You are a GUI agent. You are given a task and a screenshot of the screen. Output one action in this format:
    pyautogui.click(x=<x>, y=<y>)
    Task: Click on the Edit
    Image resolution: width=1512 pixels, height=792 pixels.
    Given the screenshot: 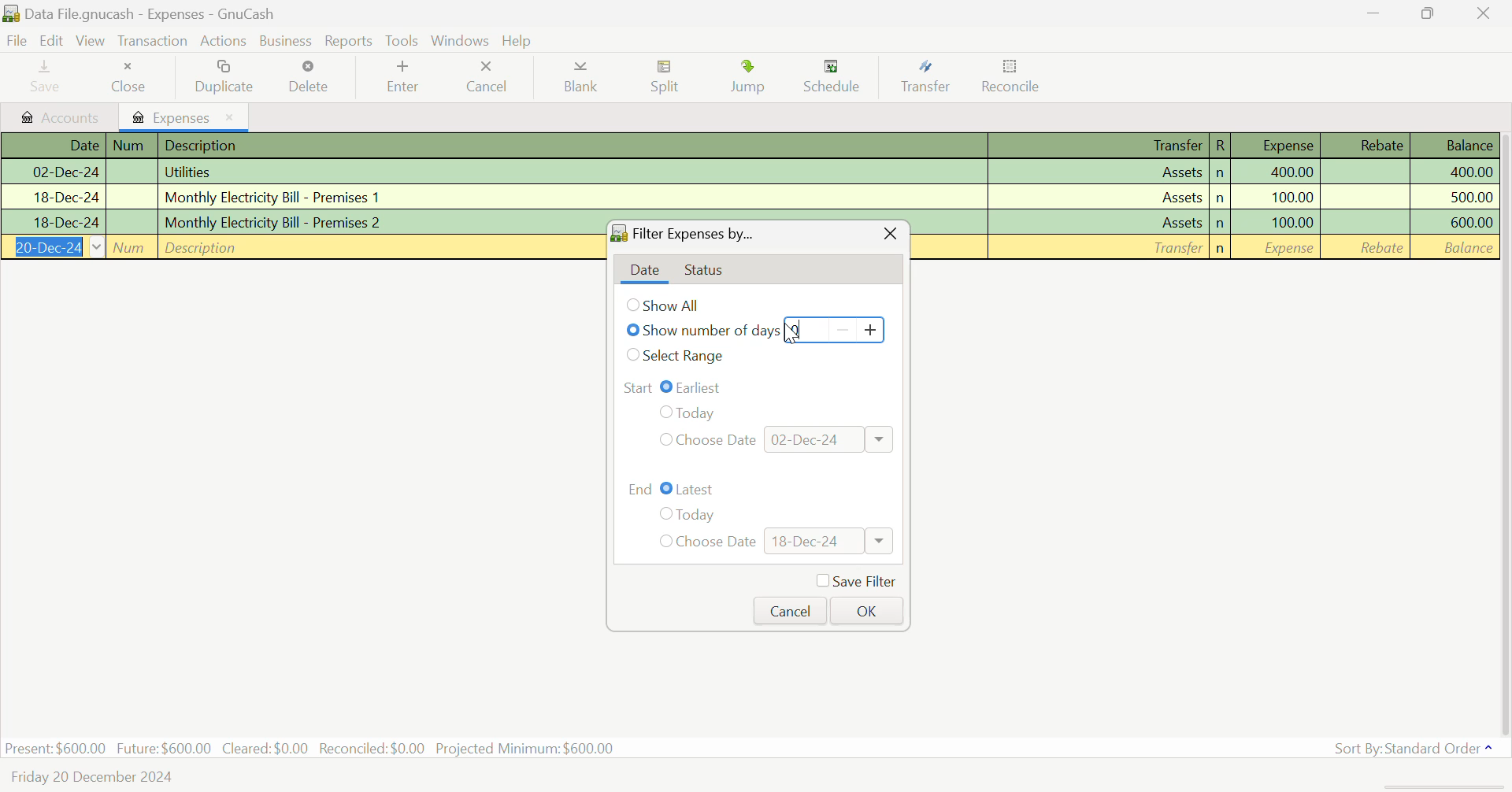 What is the action you would take?
    pyautogui.click(x=52, y=41)
    